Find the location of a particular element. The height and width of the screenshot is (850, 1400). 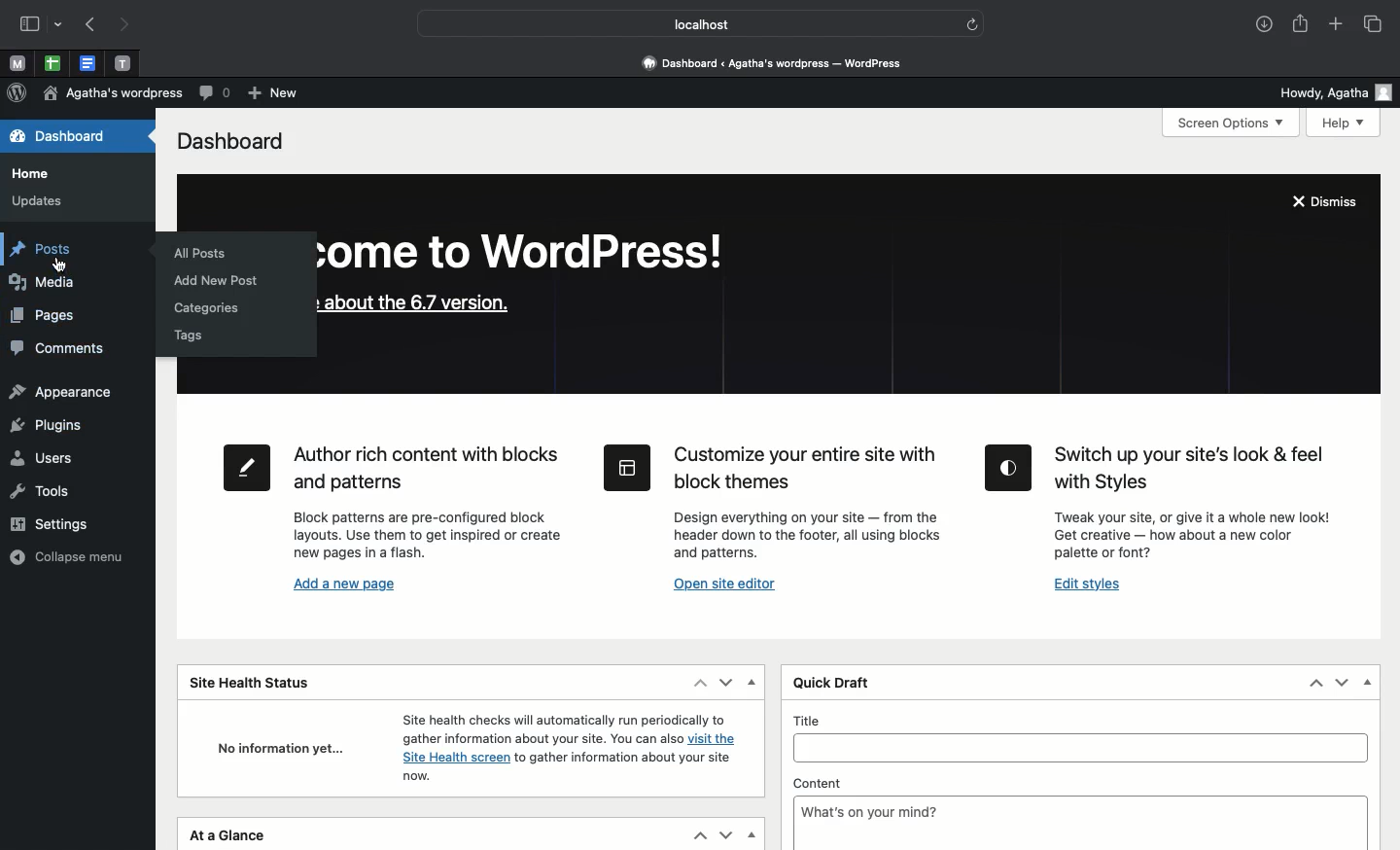

Customize your entire site with block themes Design everything on your site — from the header down to the footer, all using blocks and patterns. is located at coordinates (771, 499).